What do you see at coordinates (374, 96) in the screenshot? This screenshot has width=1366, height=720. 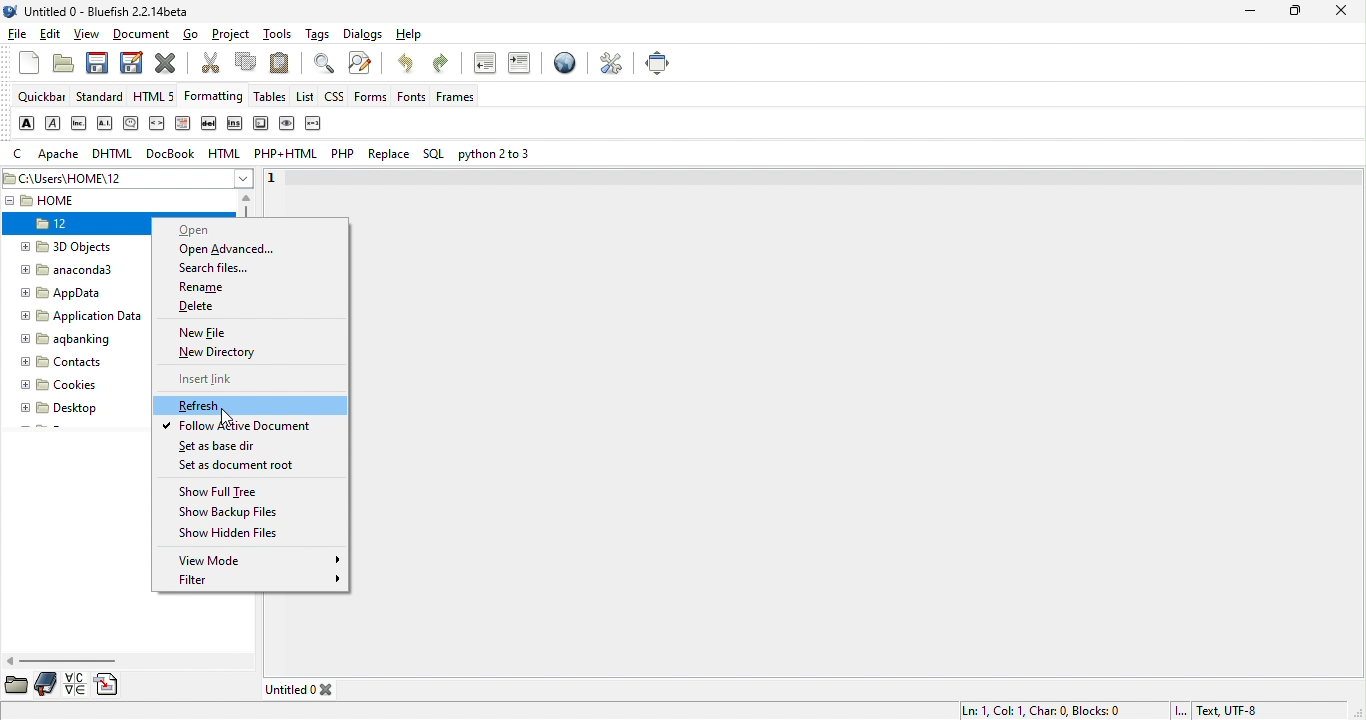 I see `forms` at bounding box center [374, 96].